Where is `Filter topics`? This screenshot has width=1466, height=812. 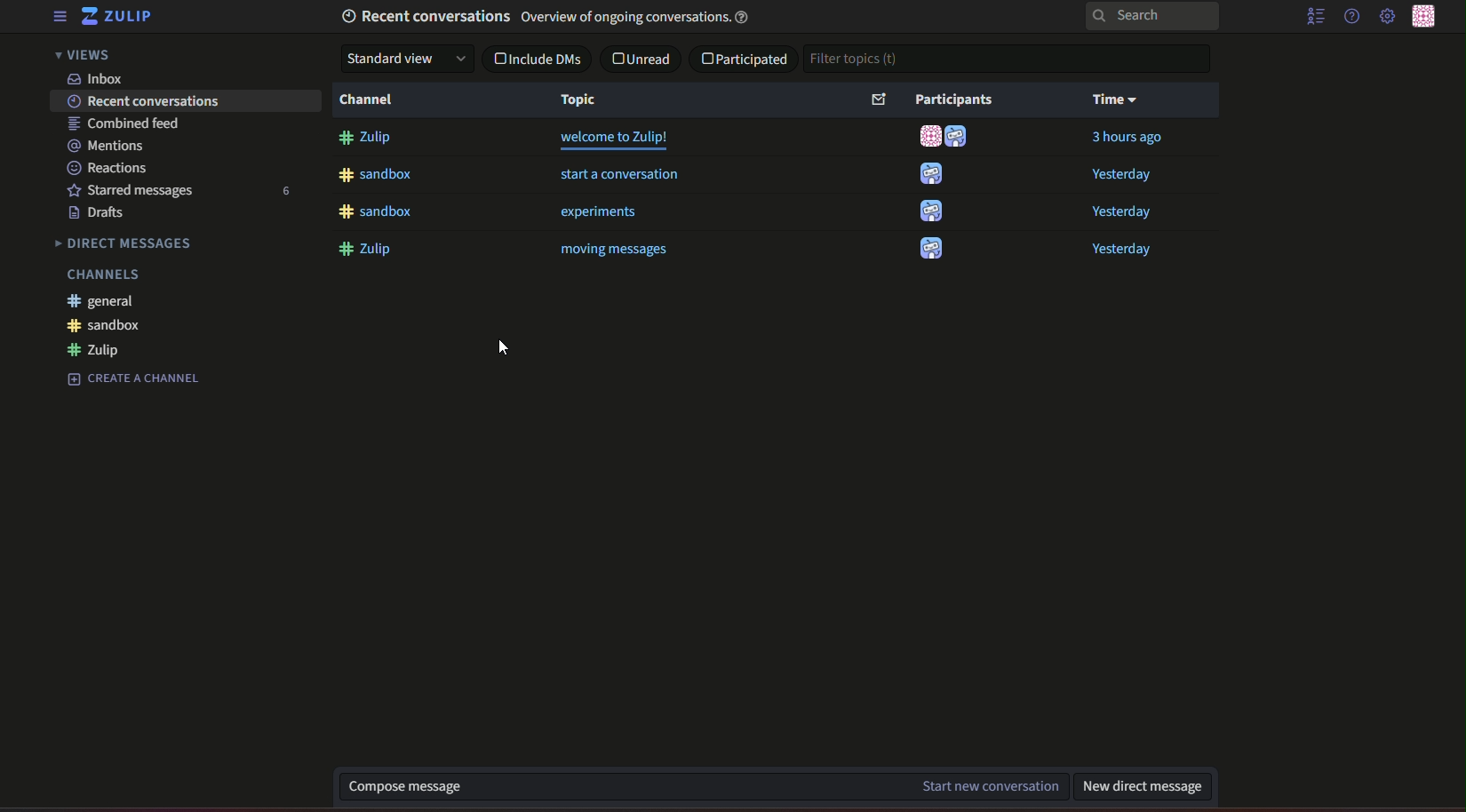 Filter topics is located at coordinates (856, 60).